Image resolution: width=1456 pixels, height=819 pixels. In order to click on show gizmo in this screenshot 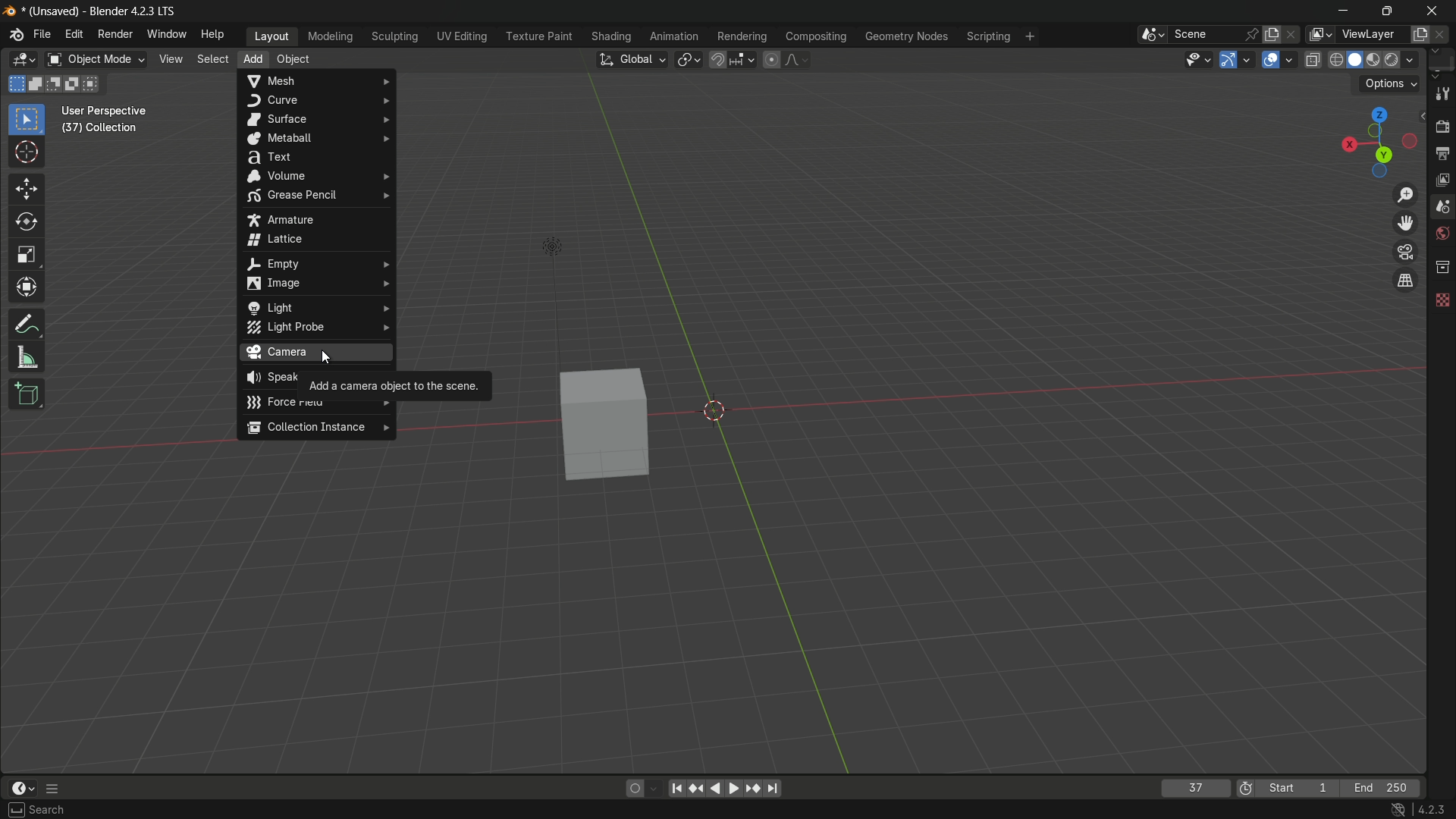, I will do `click(1227, 59)`.